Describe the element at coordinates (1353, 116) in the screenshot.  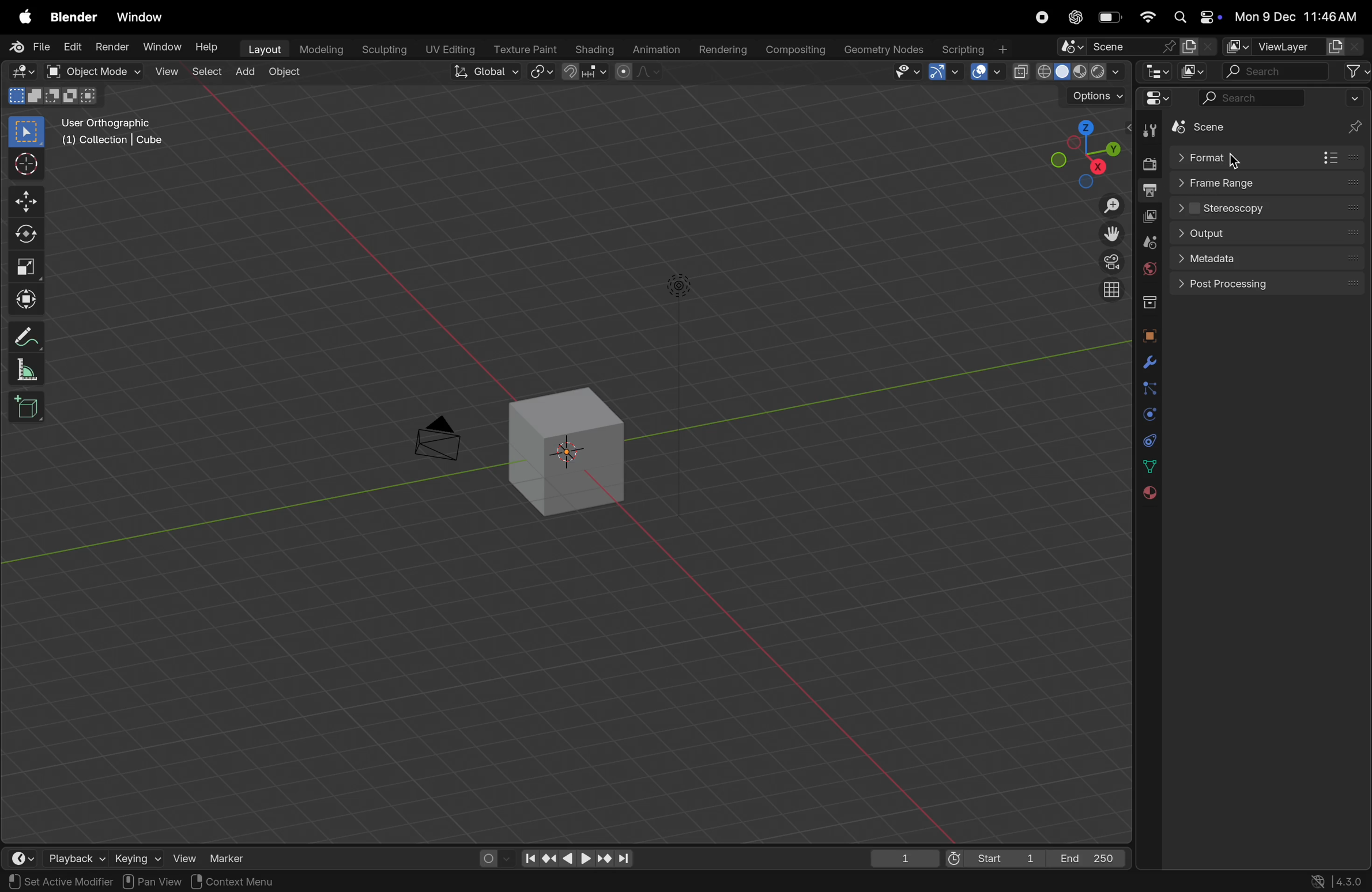
I see `pins` at that location.